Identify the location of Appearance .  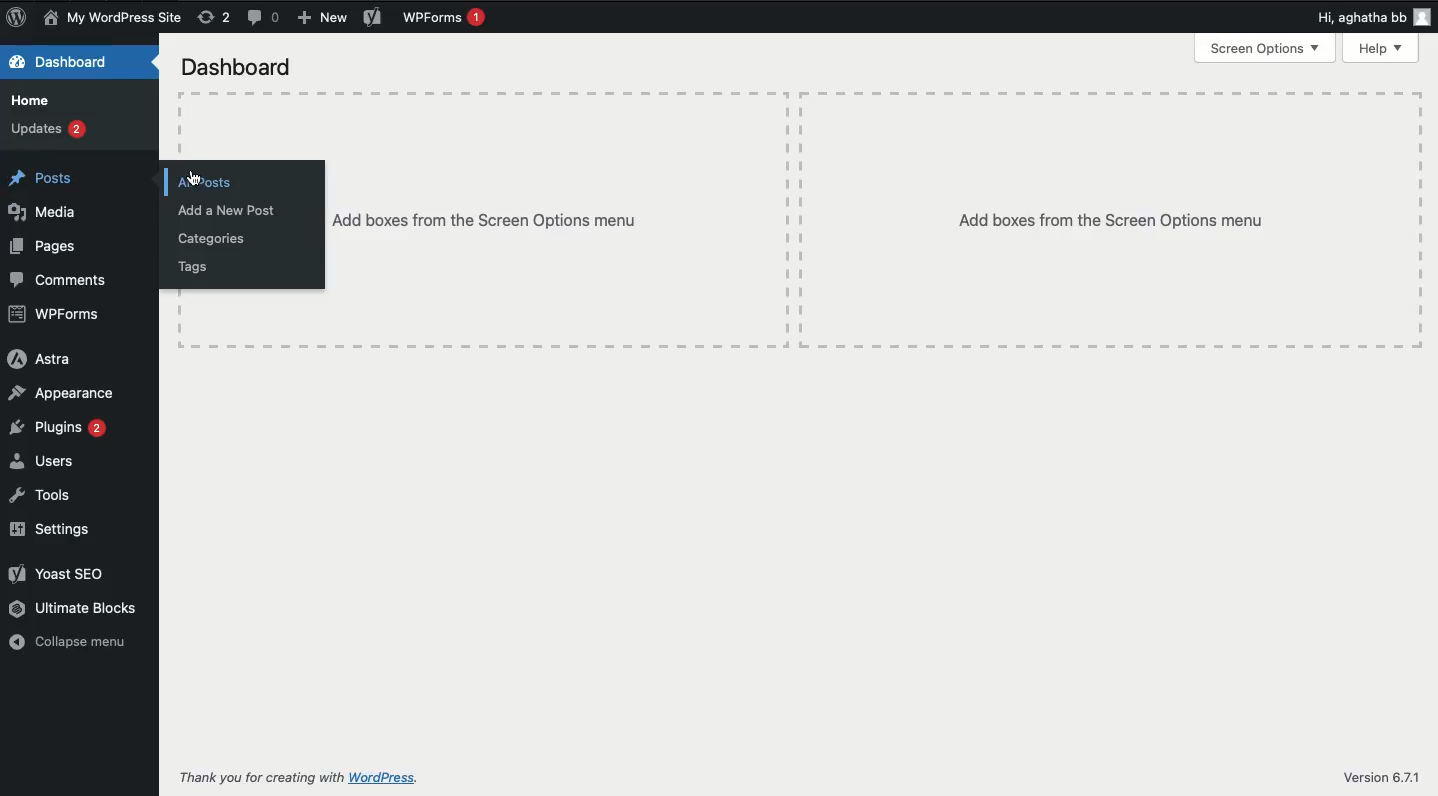
(62, 395).